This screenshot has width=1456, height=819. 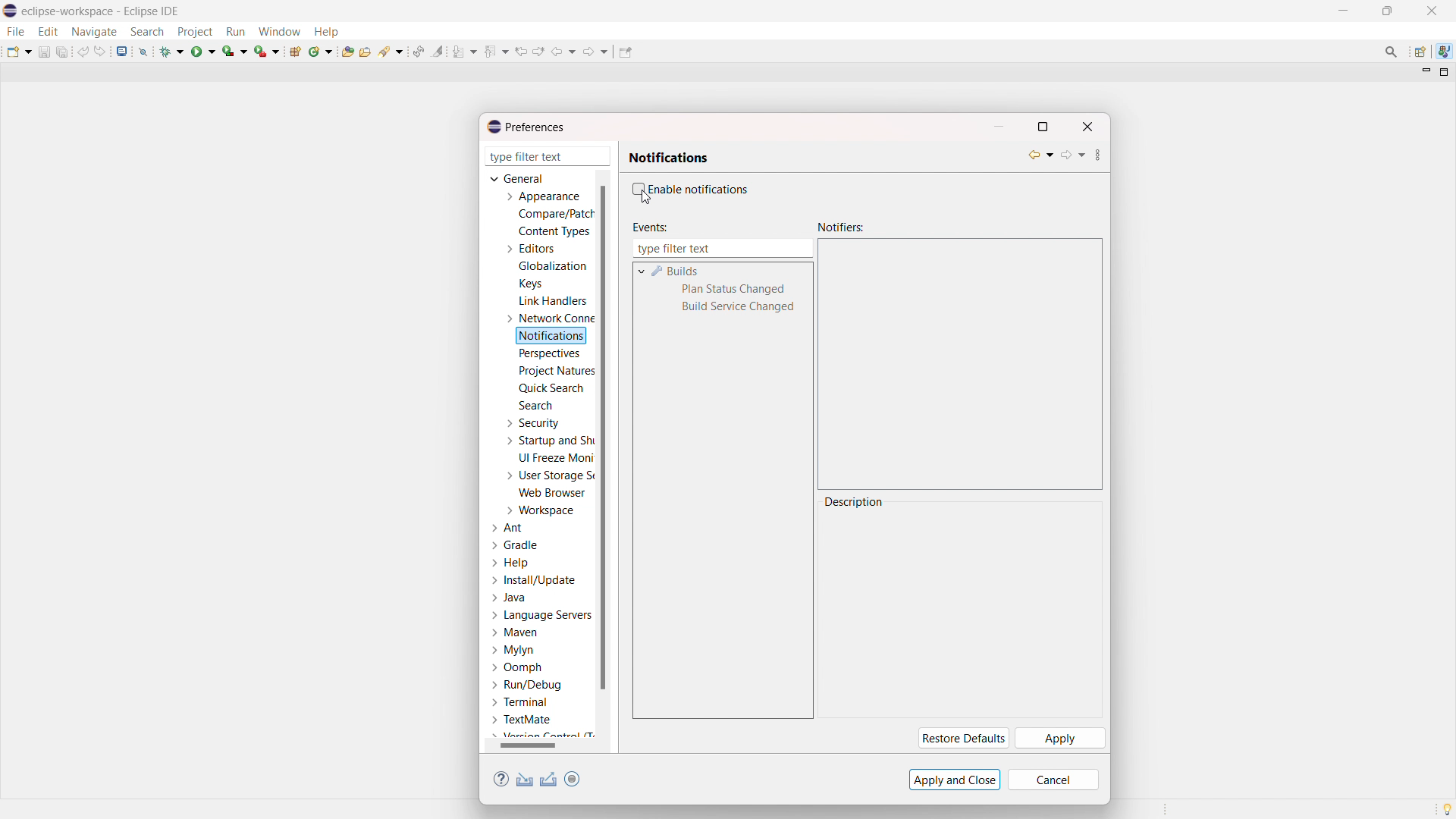 What do you see at coordinates (11, 11) in the screenshot?
I see `logo` at bounding box center [11, 11].